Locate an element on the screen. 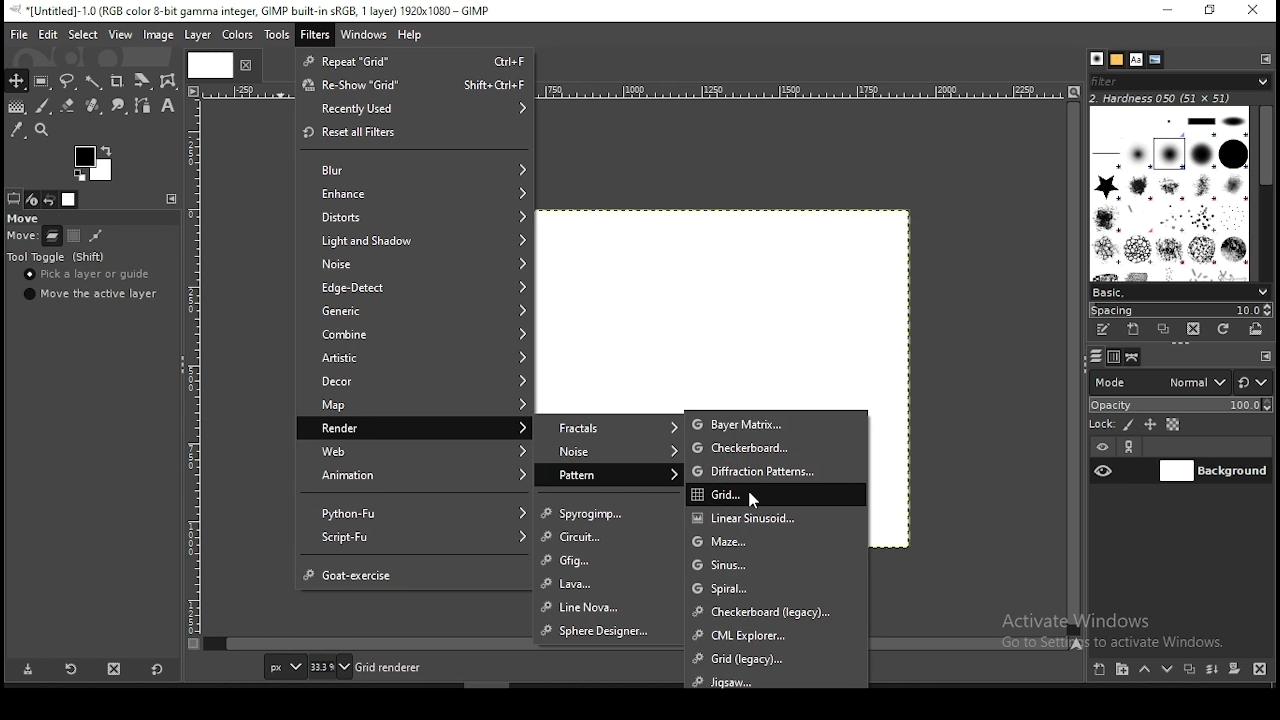 Image resolution: width=1280 pixels, height=720 pixels. restore is located at coordinates (1213, 10).